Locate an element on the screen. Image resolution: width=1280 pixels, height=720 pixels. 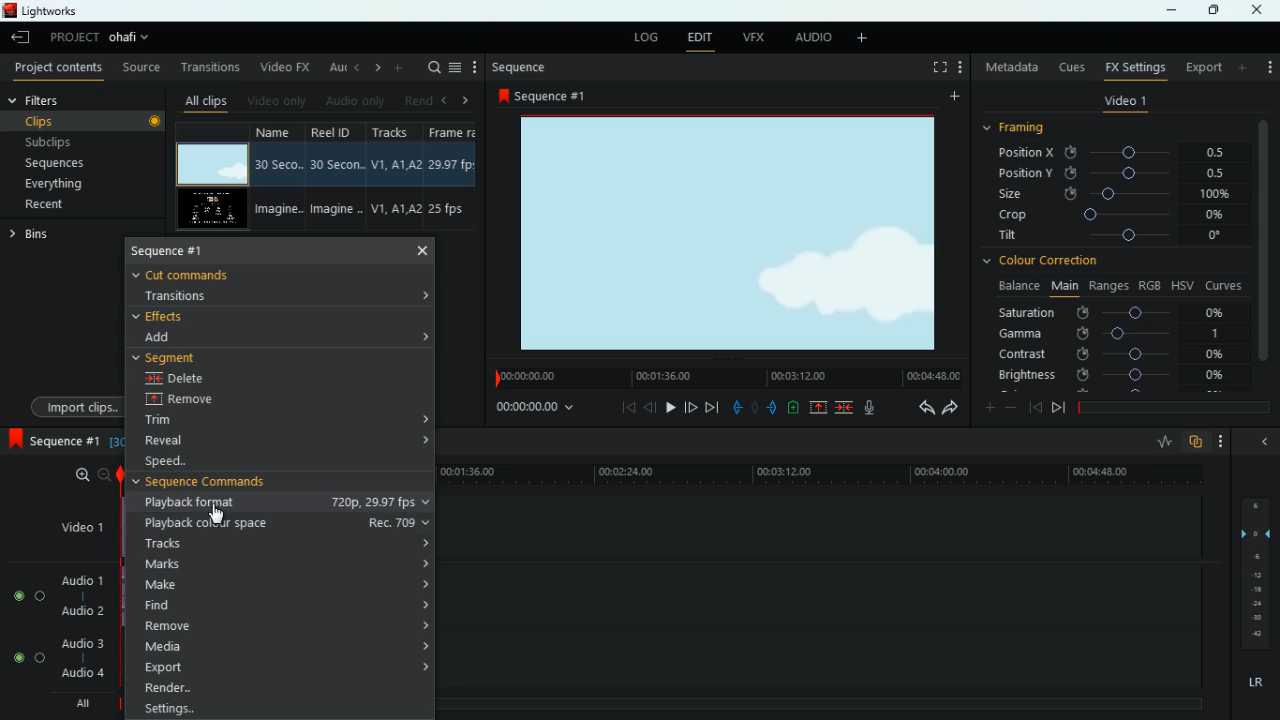
playback colour space is located at coordinates (287, 523).